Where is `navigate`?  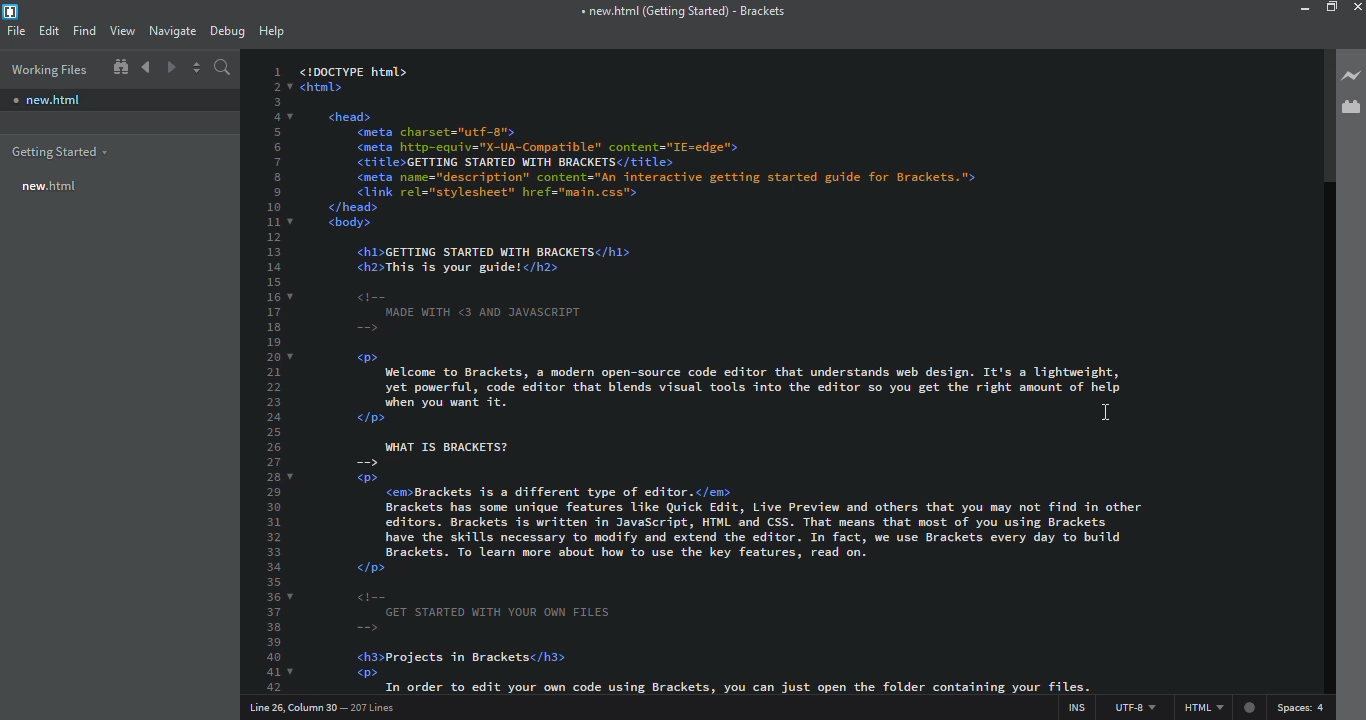 navigate is located at coordinates (171, 28).